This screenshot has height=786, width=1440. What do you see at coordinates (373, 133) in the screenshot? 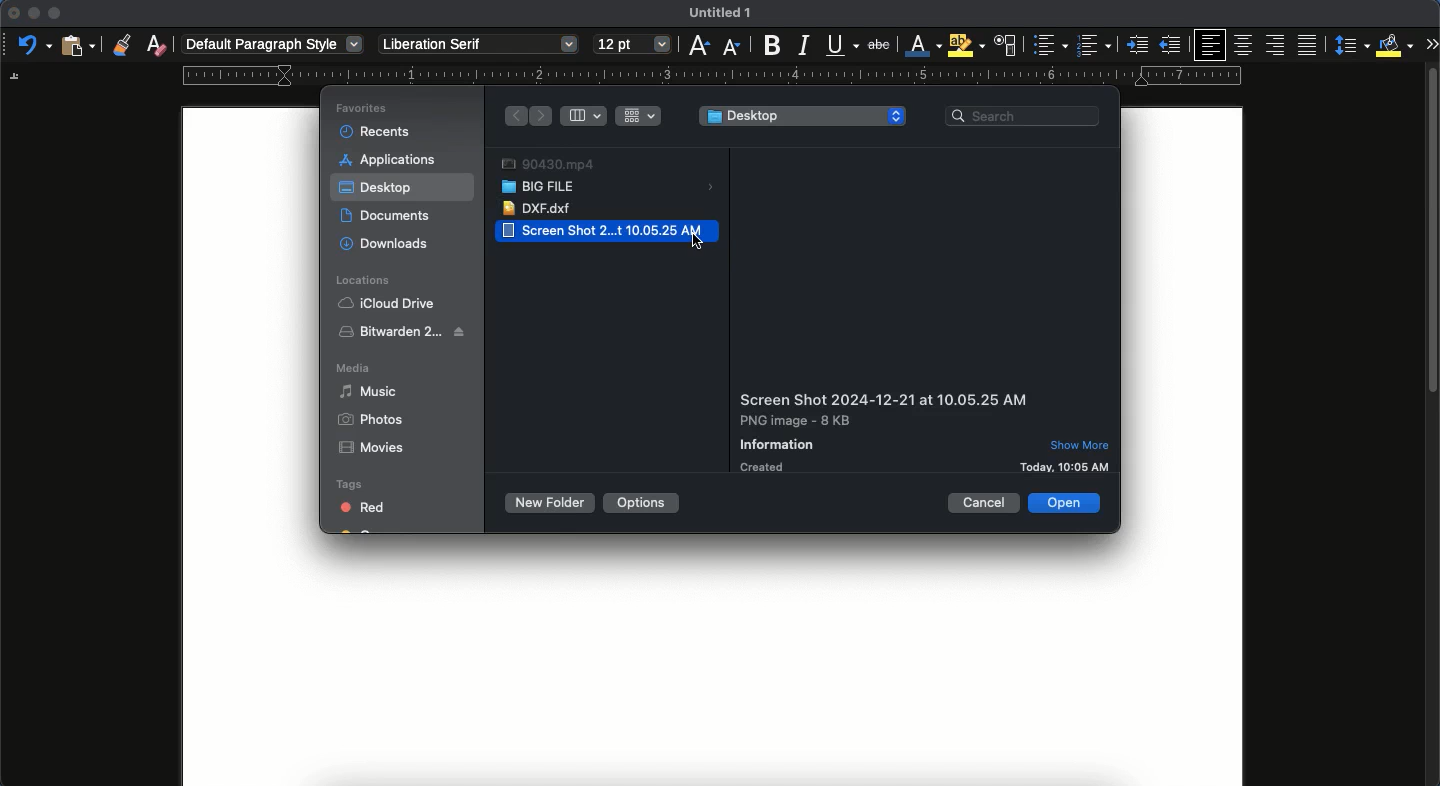
I see `recents` at bounding box center [373, 133].